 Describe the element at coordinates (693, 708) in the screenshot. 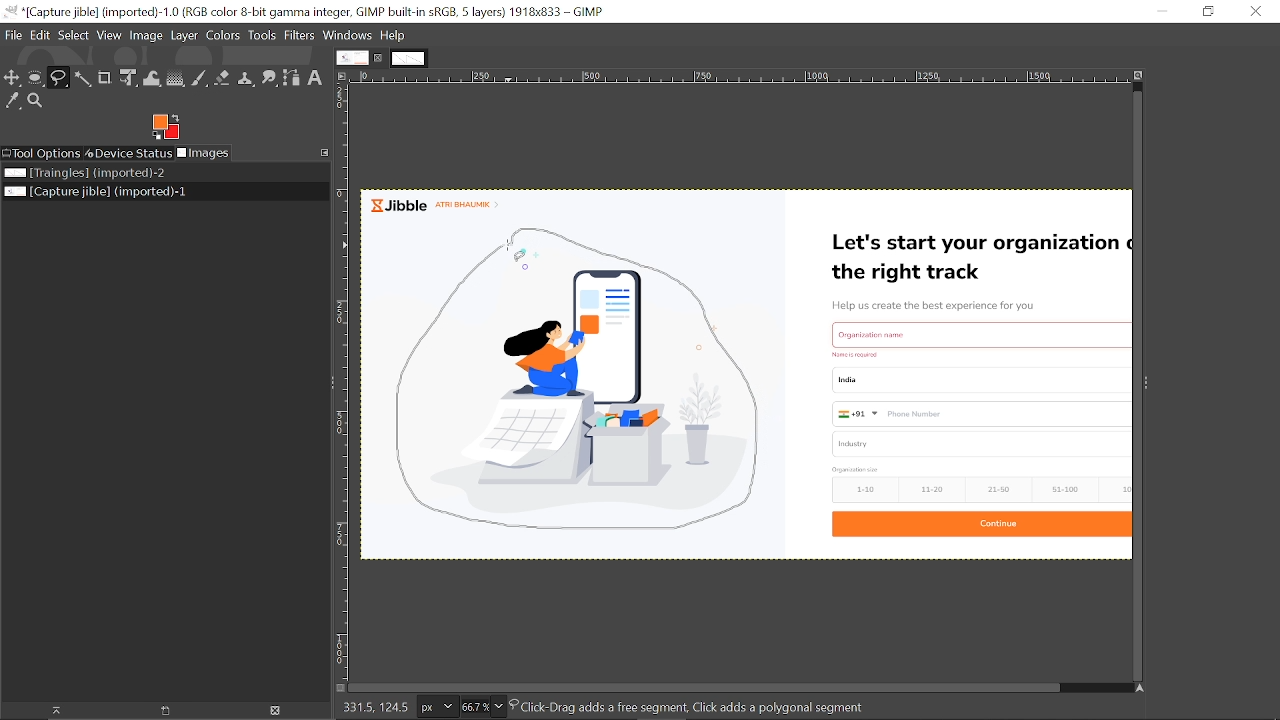

I see `layer details` at that location.